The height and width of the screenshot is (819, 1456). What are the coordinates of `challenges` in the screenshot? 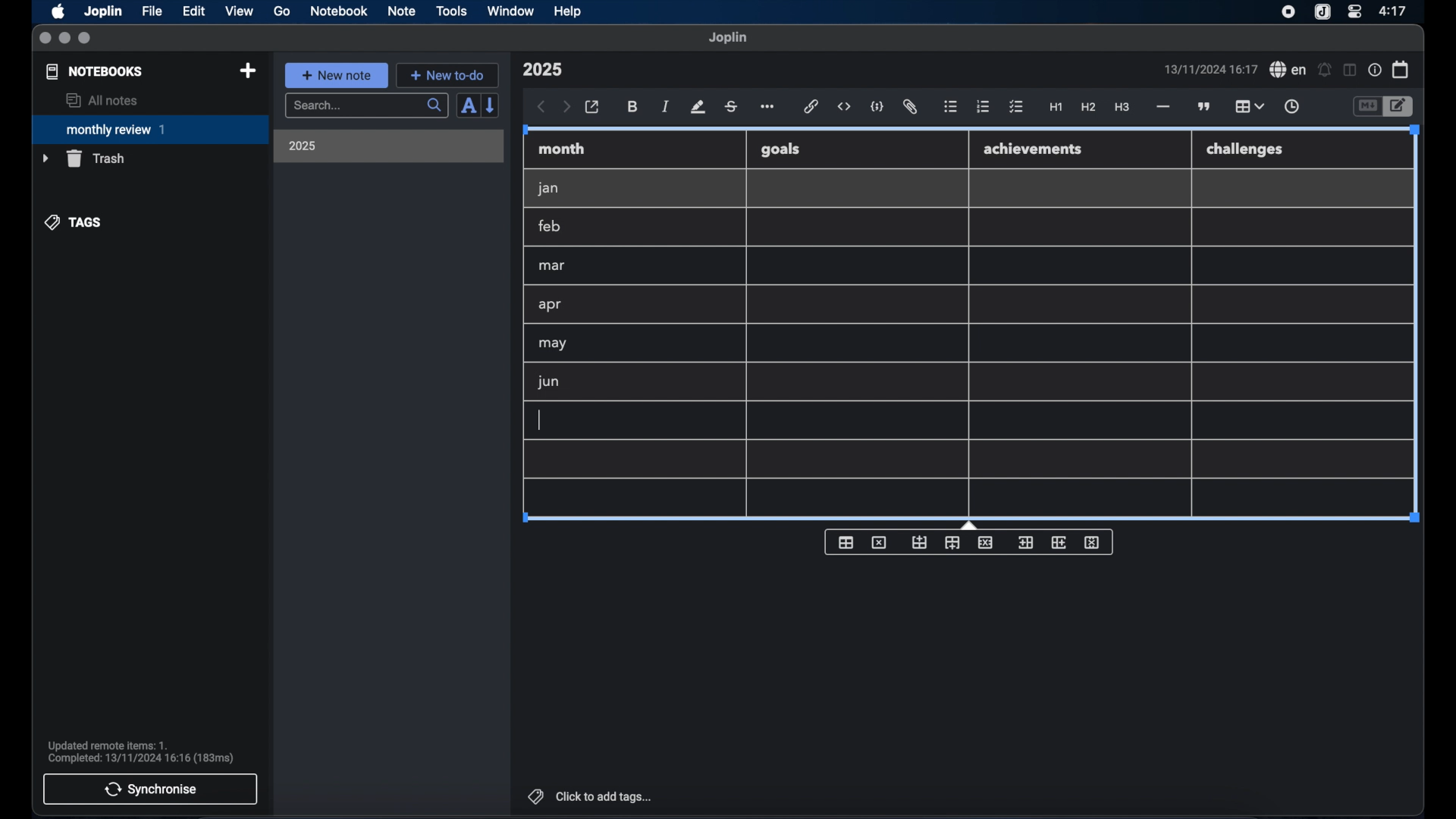 It's located at (1246, 150).